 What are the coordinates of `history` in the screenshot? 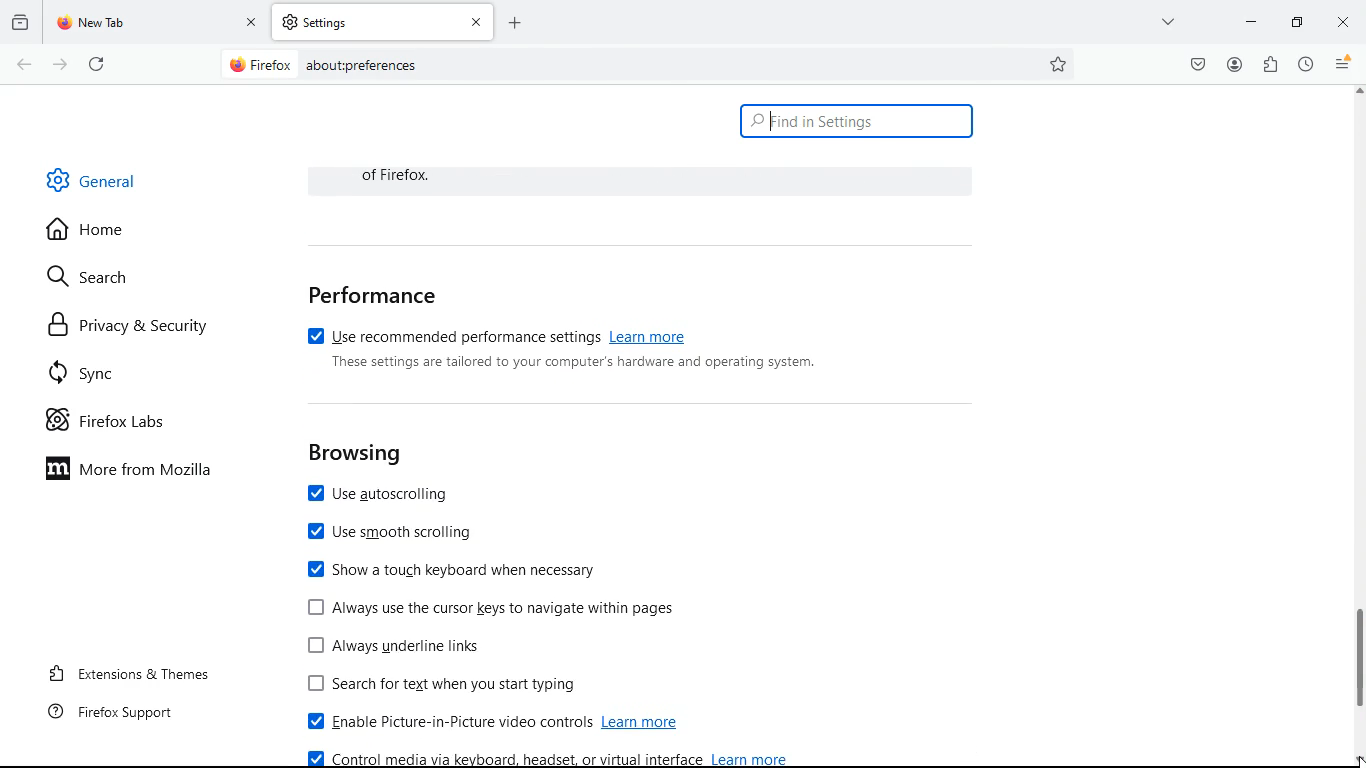 It's located at (1305, 65).